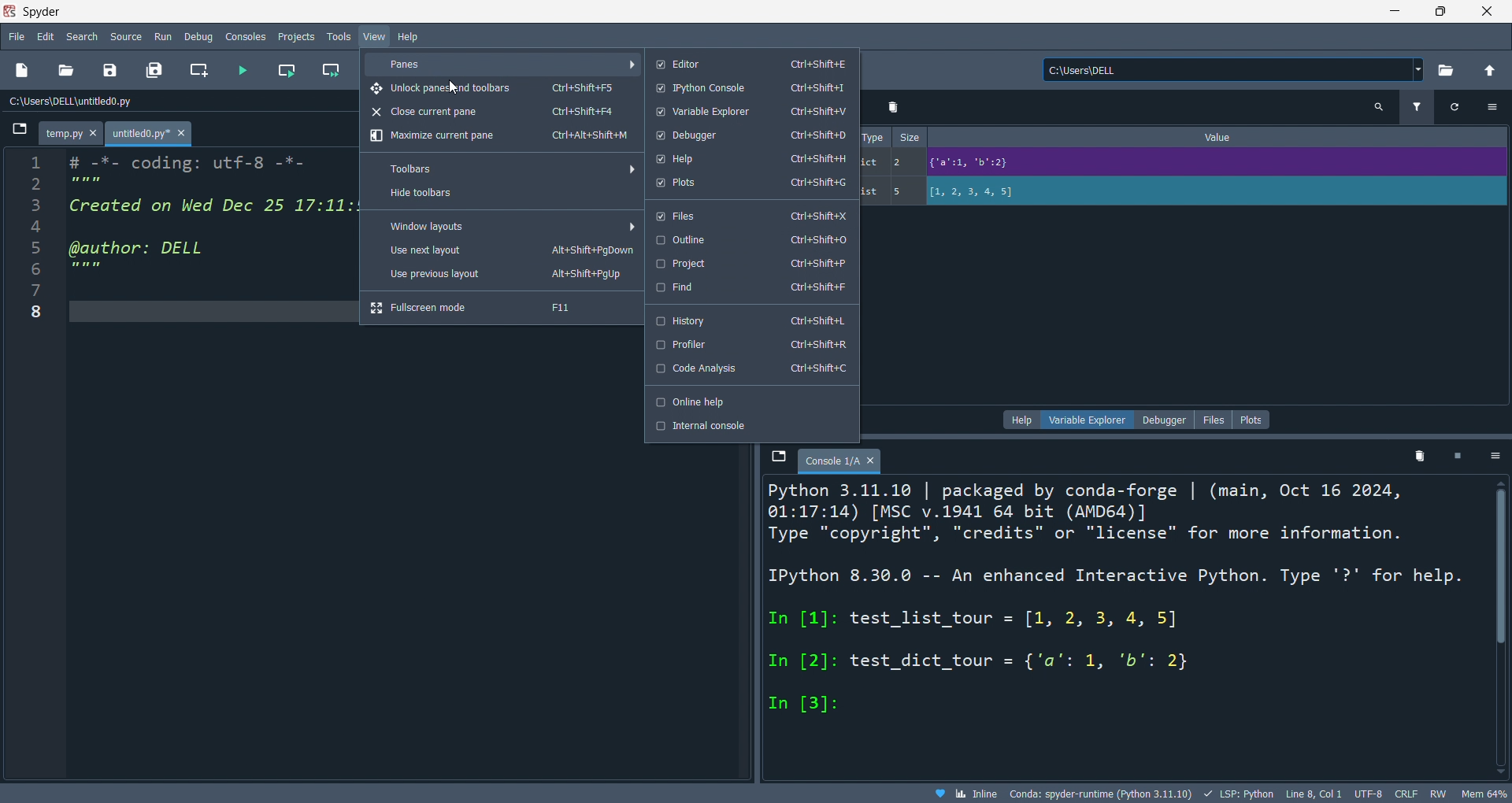 This screenshot has height=803, width=1512. I want to click on variable explorer, so click(748, 112).